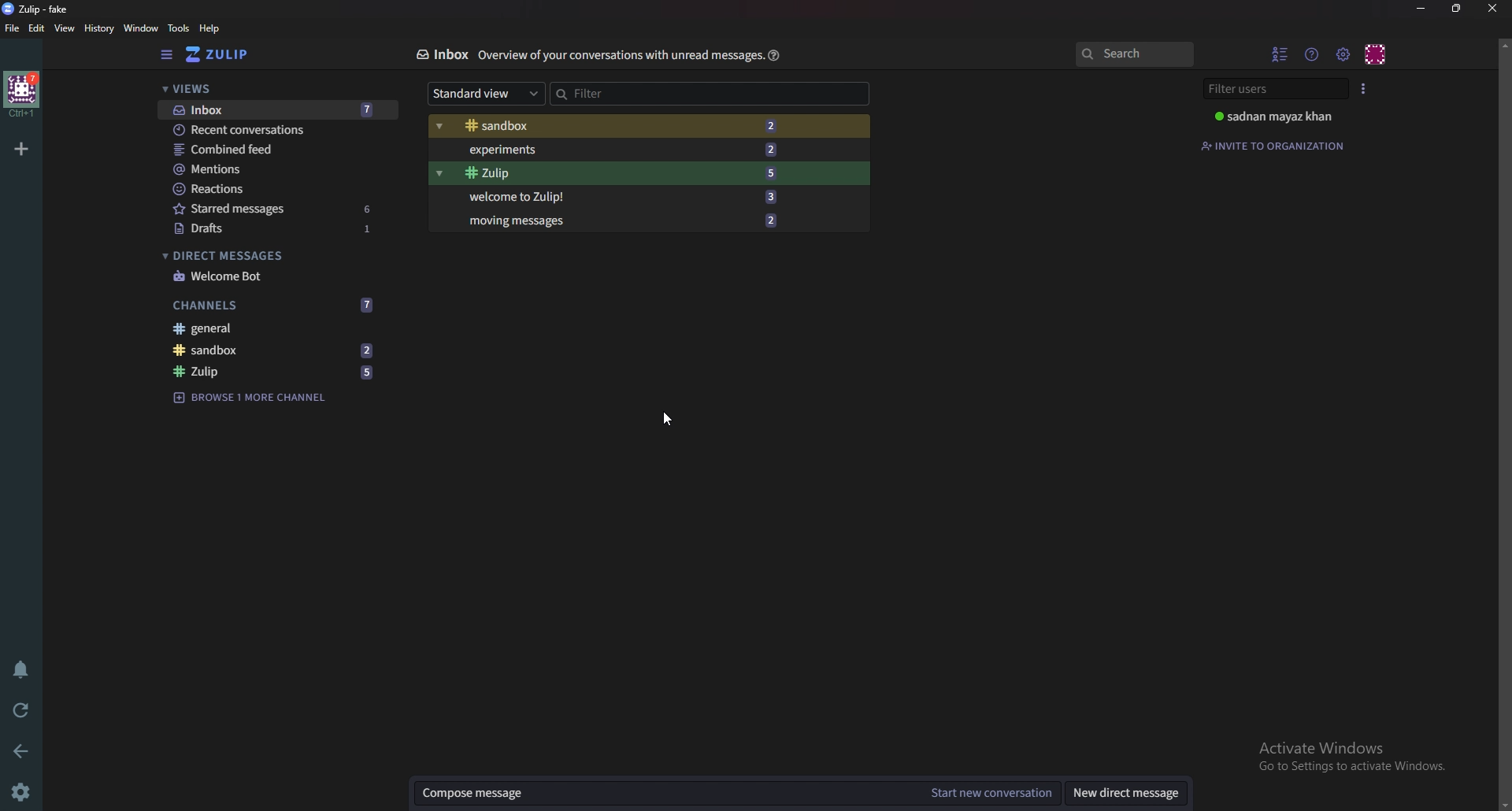  Describe the element at coordinates (24, 709) in the screenshot. I see `Reload` at that location.